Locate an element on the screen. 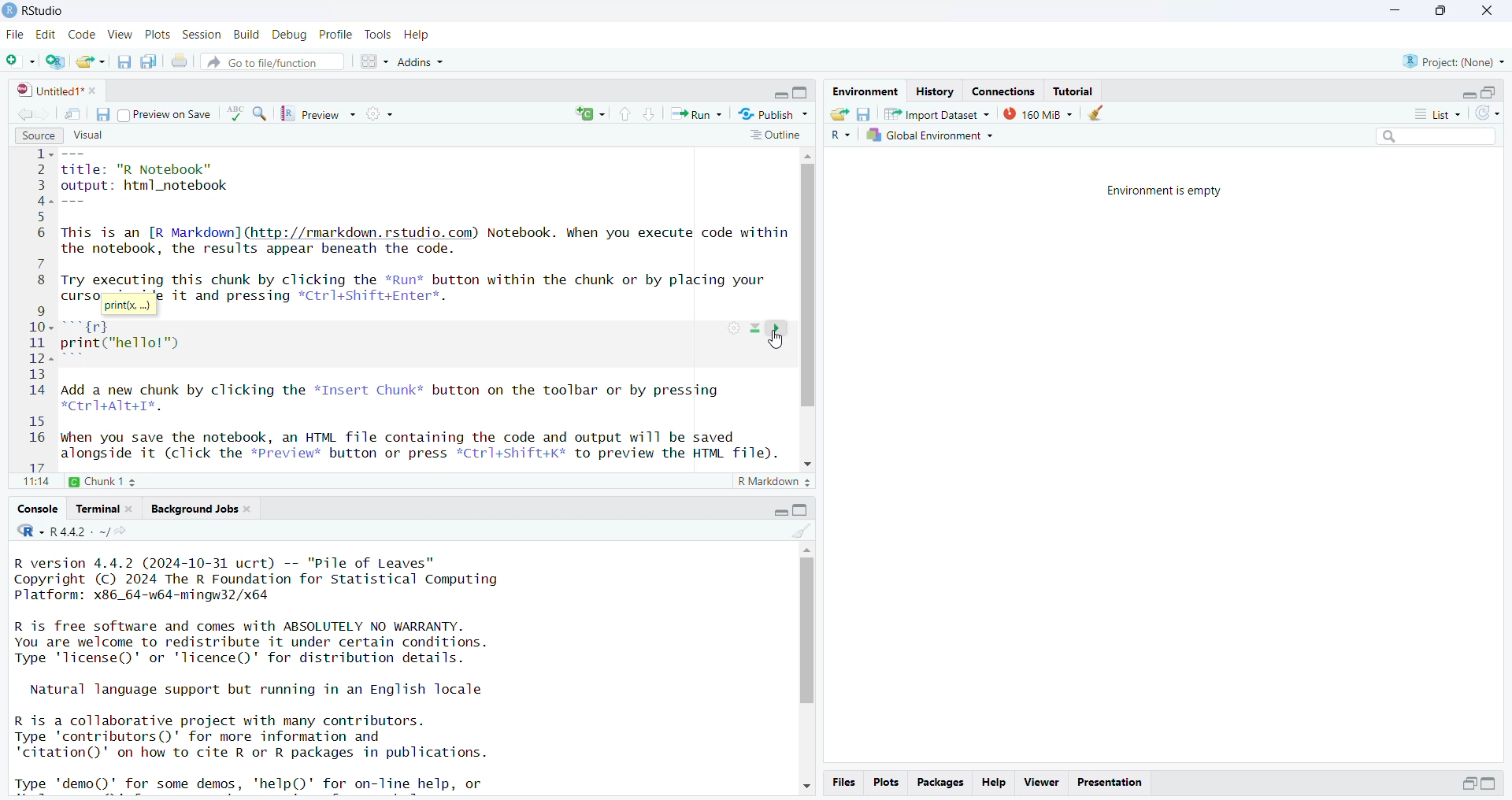 This screenshot has width=1512, height=800. plots is located at coordinates (885, 783).